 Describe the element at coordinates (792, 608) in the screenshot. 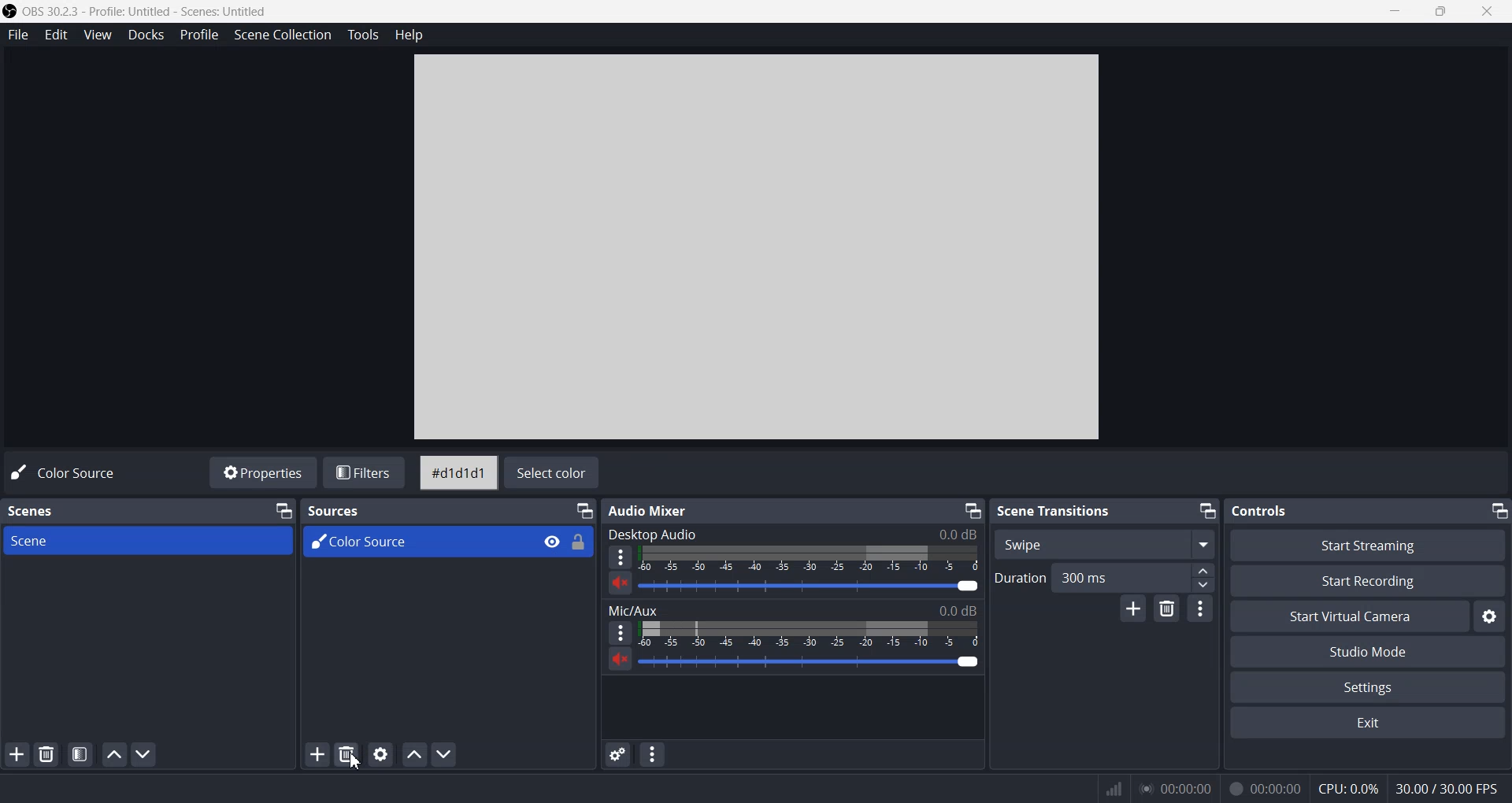

I see `Mic/Aux 0.0 dB` at that location.